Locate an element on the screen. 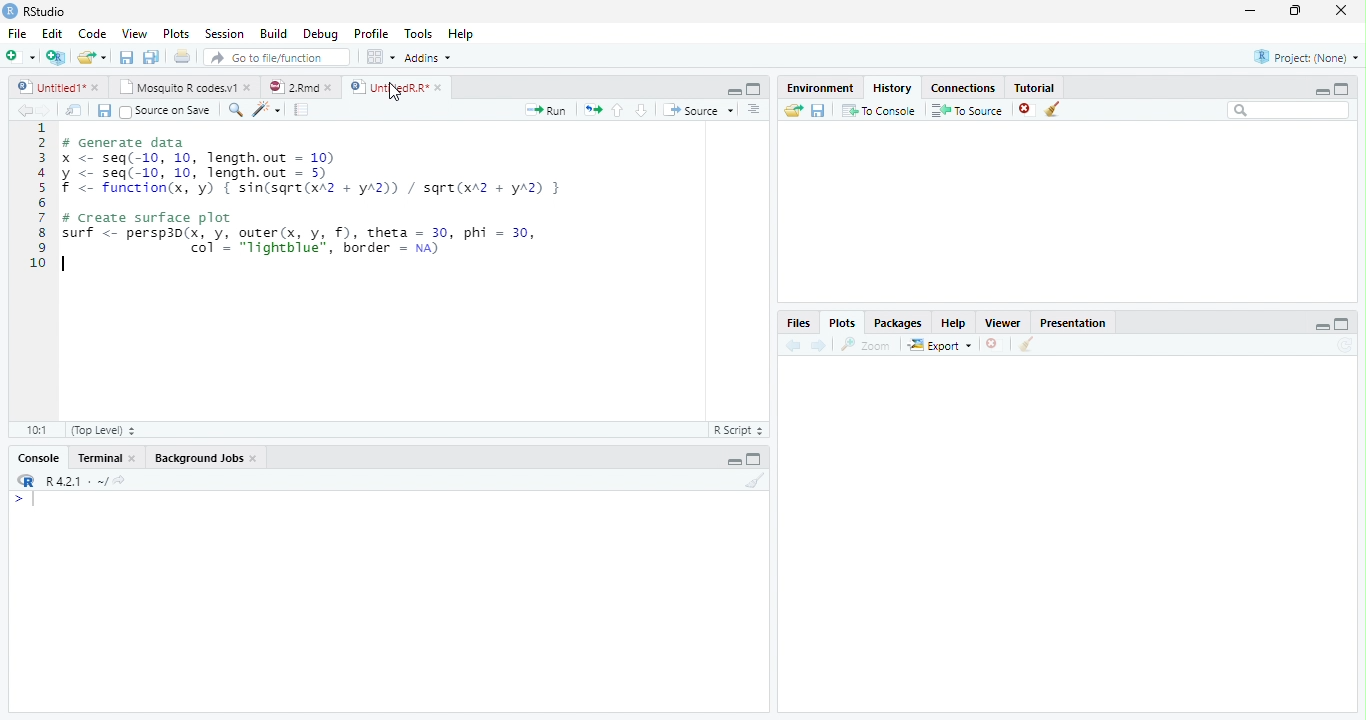 This screenshot has height=720, width=1366. UntitledR.R* is located at coordinates (387, 87).